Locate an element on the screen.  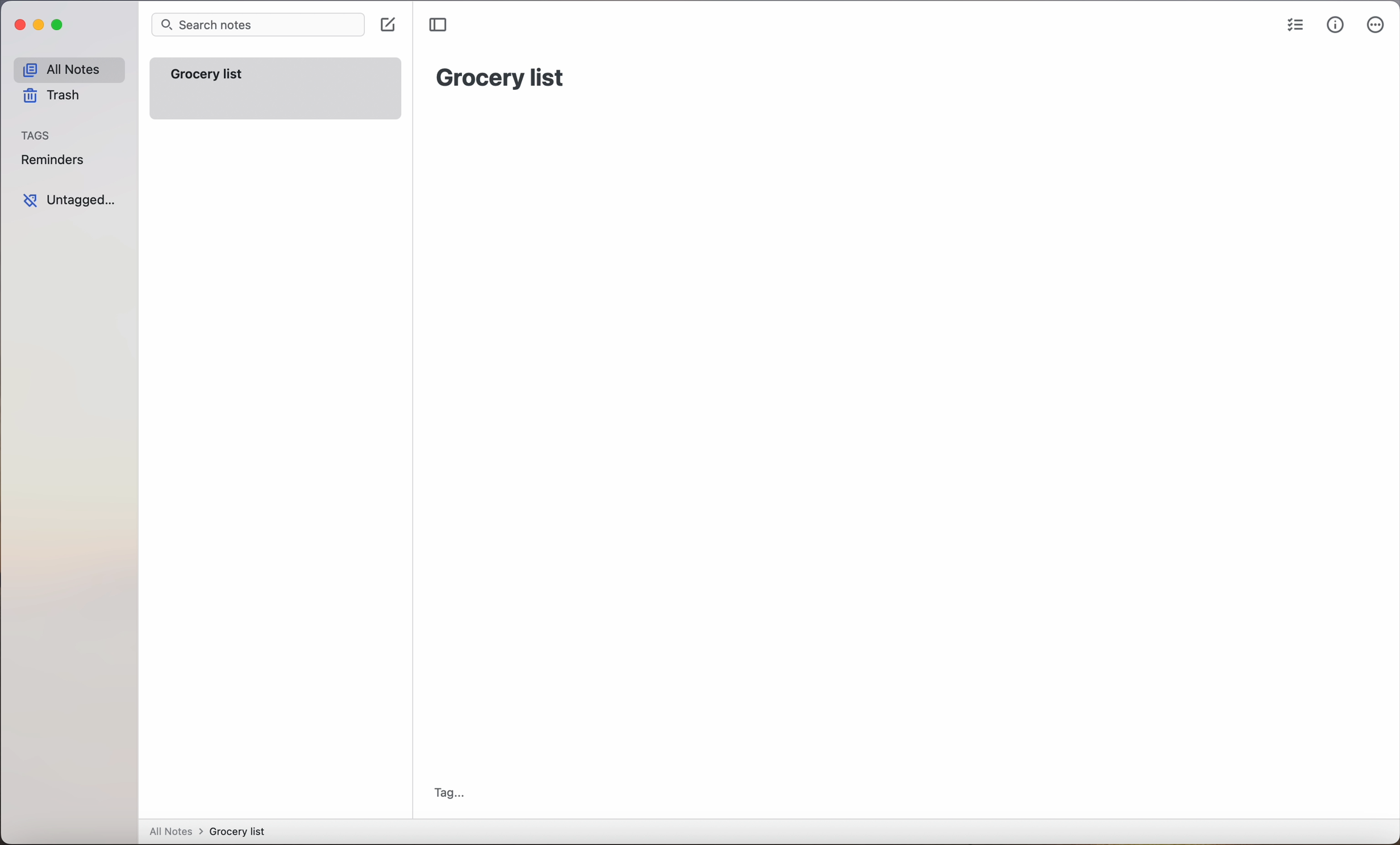
grocery list note is located at coordinates (276, 87).